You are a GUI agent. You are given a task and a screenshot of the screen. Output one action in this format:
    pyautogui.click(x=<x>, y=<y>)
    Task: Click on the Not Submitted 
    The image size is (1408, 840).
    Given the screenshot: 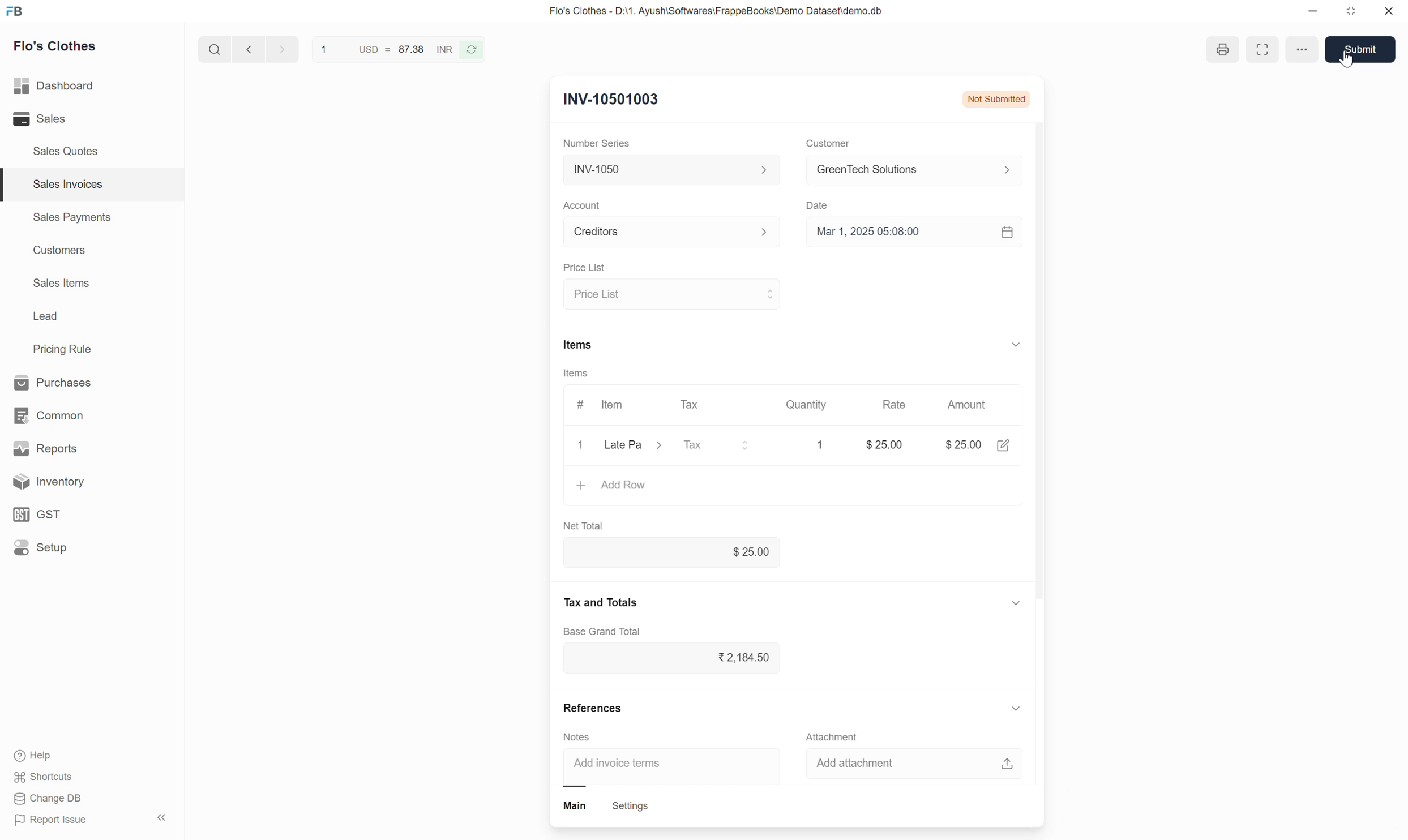 What is the action you would take?
    pyautogui.click(x=995, y=99)
    